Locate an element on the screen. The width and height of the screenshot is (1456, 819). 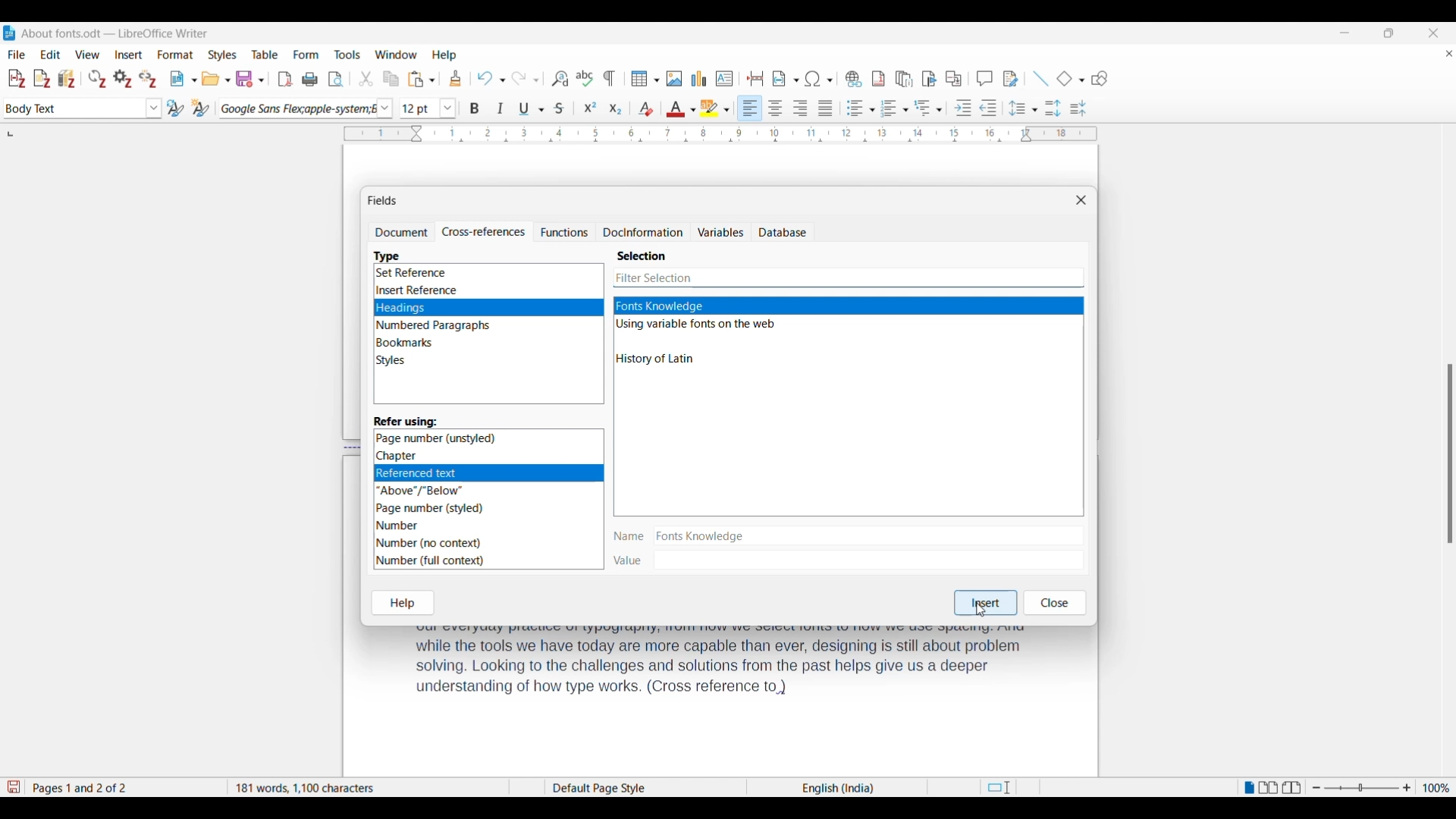
Check spelling is located at coordinates (584, 78).